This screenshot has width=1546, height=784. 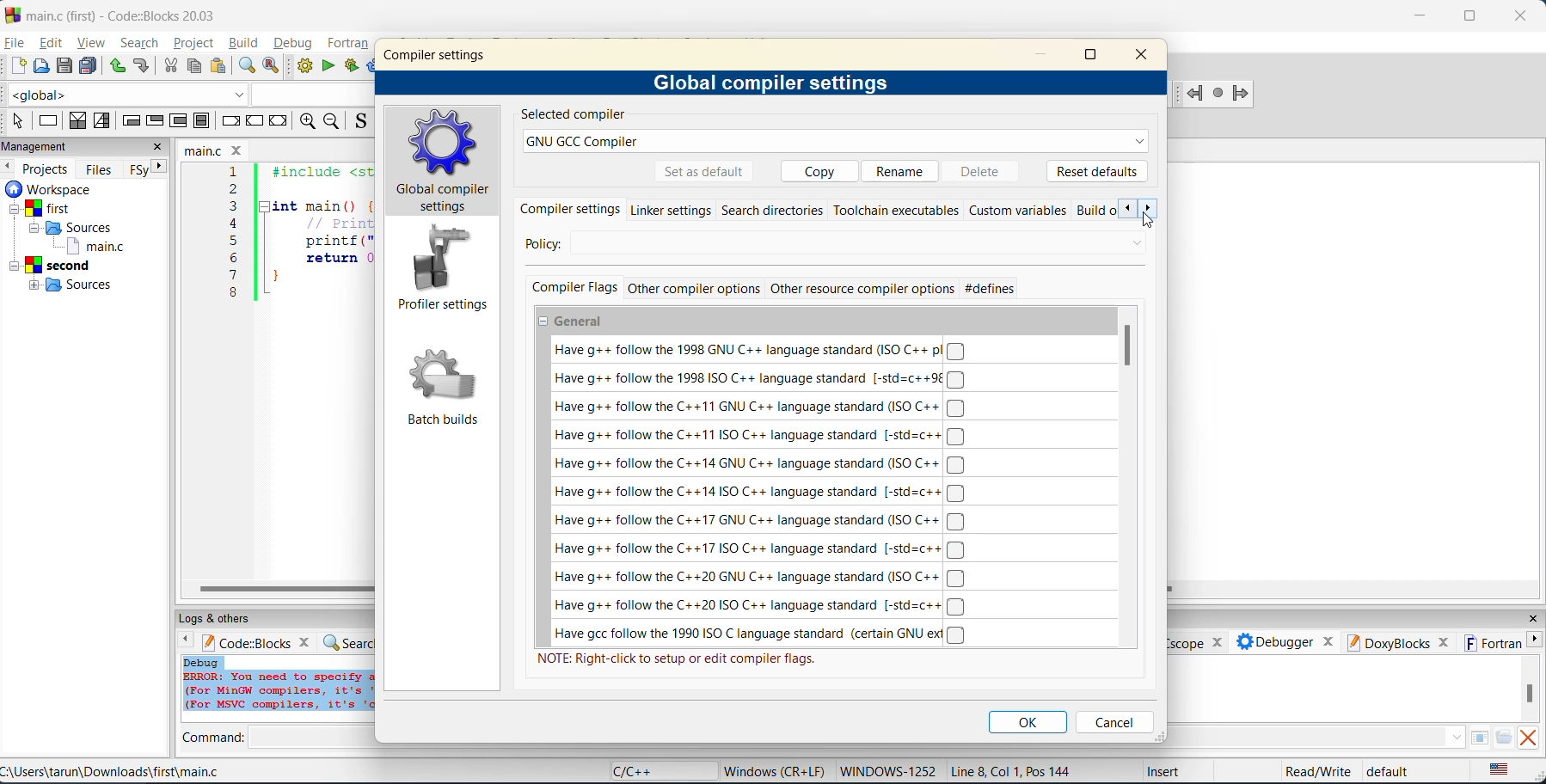 I want to click on maximize, so click(x=1092, y=58).